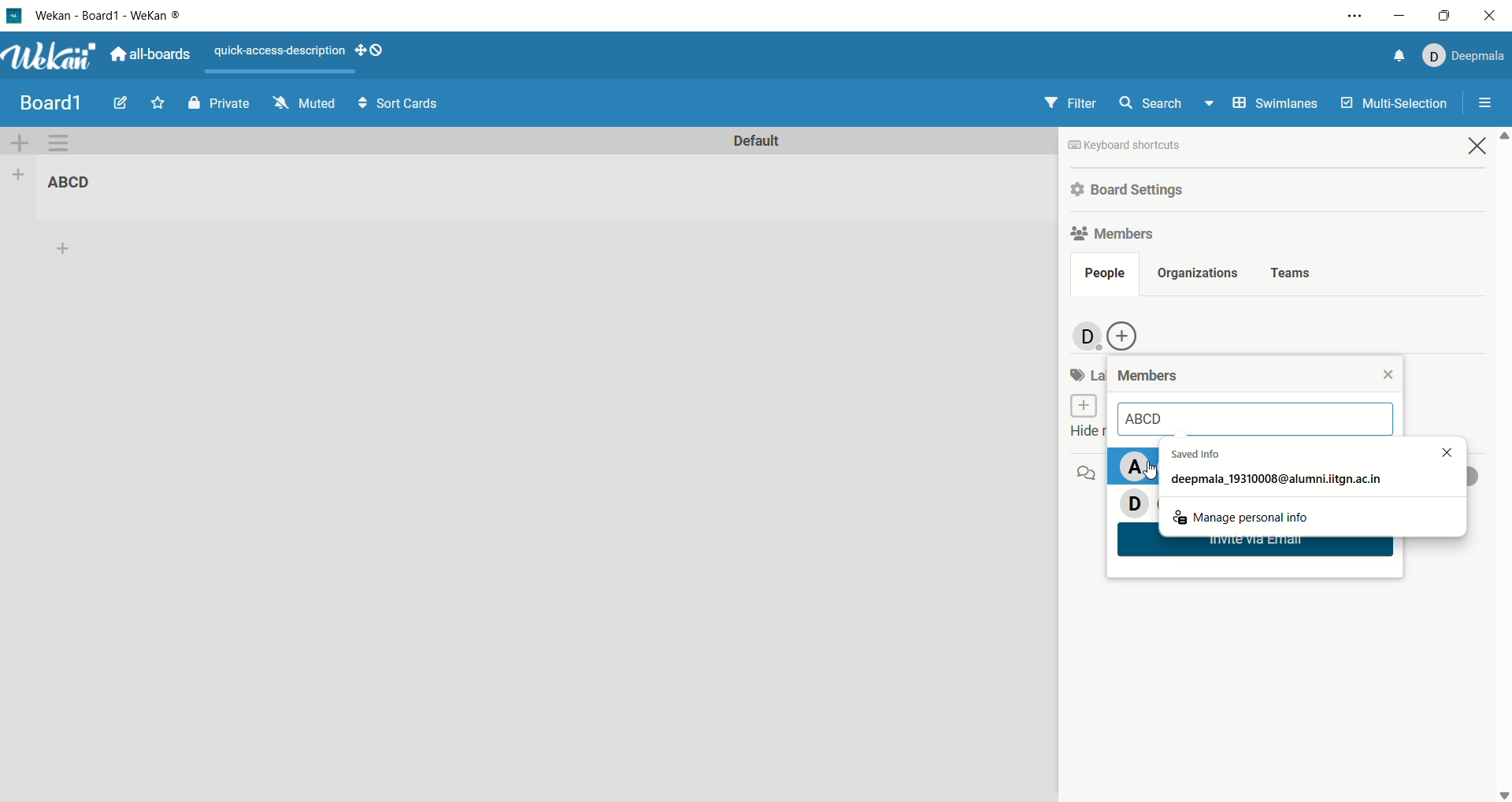 The image size is (1512, 802). Describe the element at coordinates (1465, 56) in the screenshot. I see `account` at that location.